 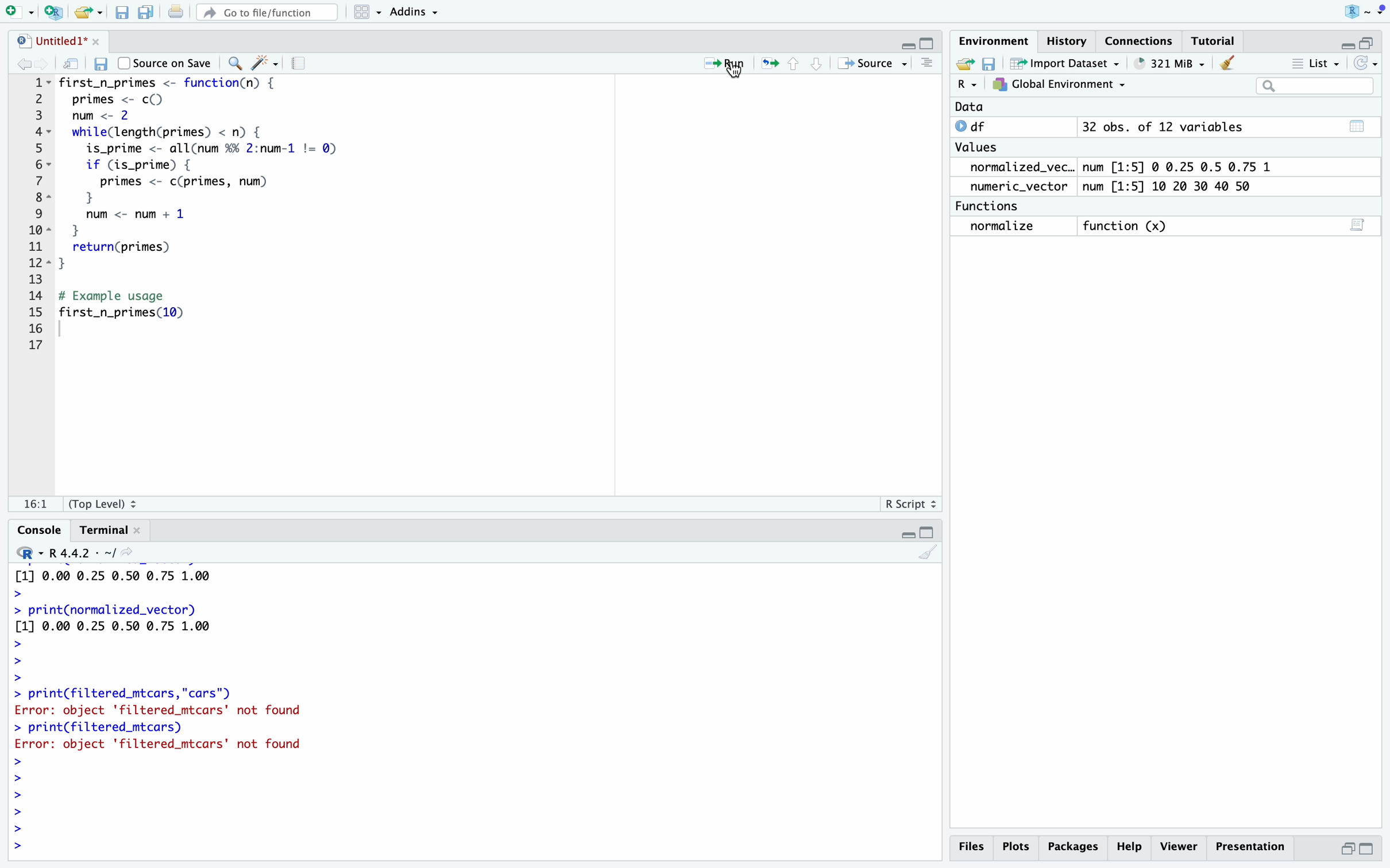 I want to click on fe!, so click(x=36, y=503).